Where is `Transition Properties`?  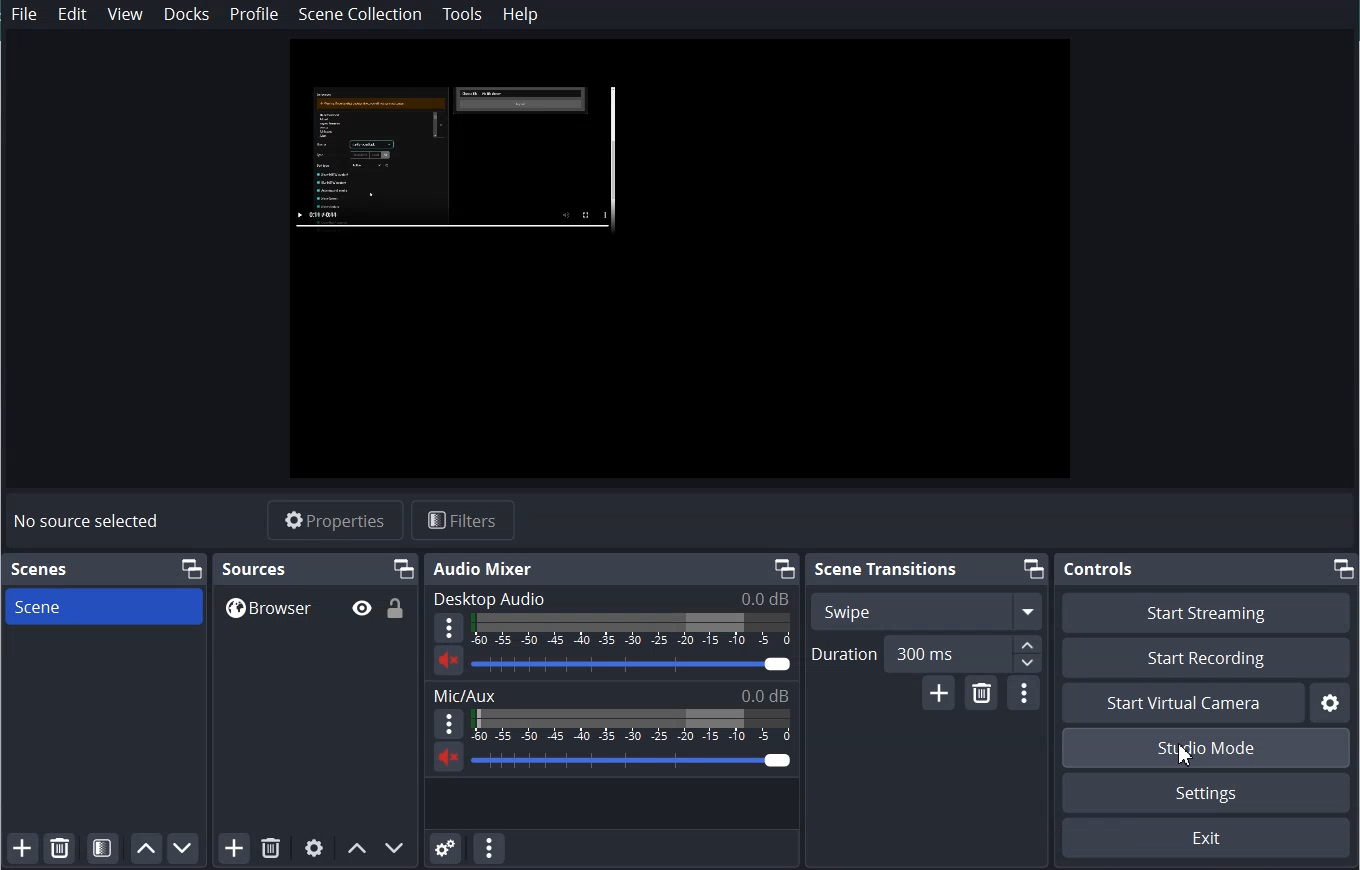 Transition Properties is located at coordinates (1023, 694).